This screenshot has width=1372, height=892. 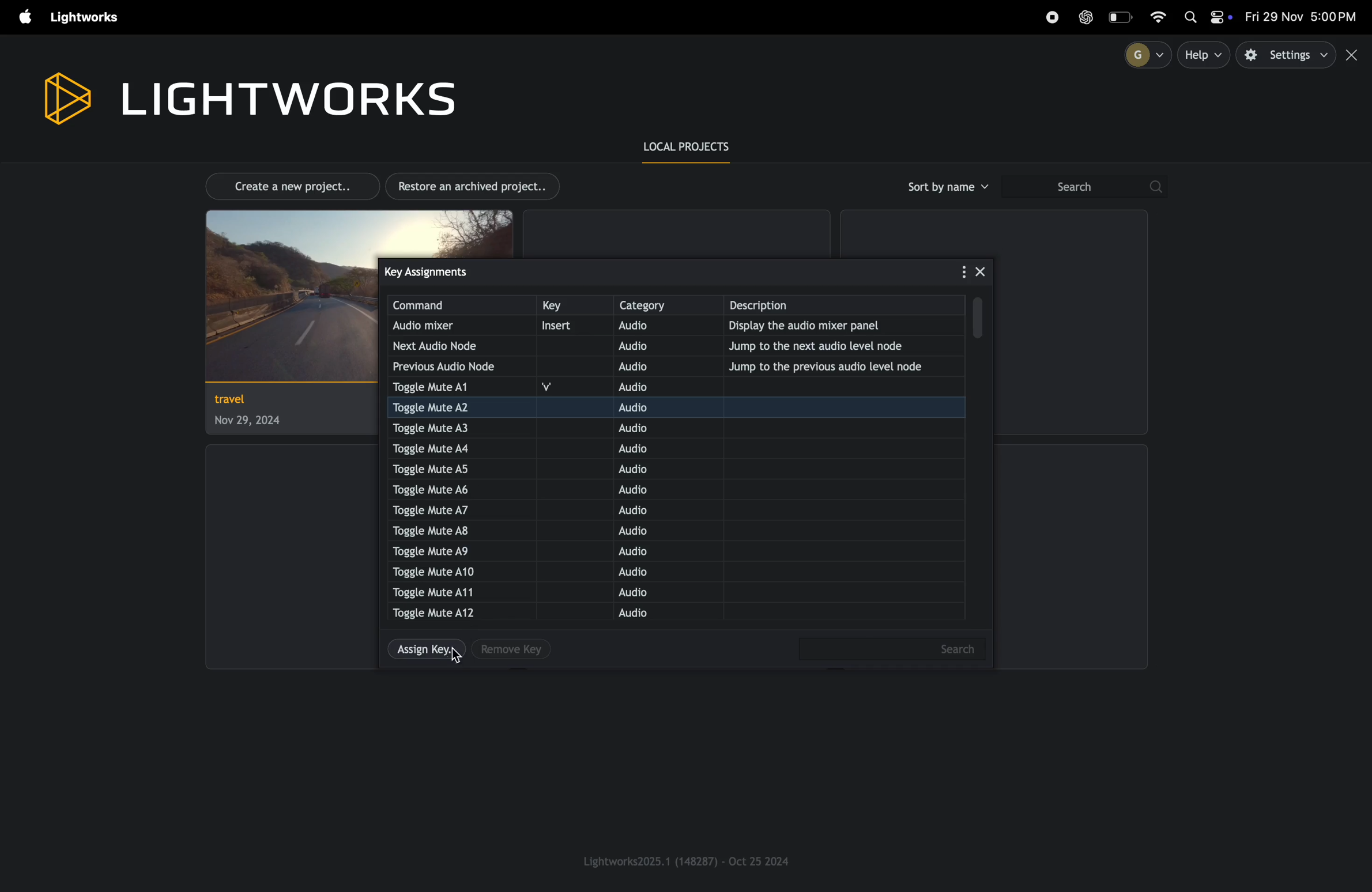 What do you see at coordinates (446, 512) in the screenshot?
I see `toggle muteA7` at bounding box center [446, 512].